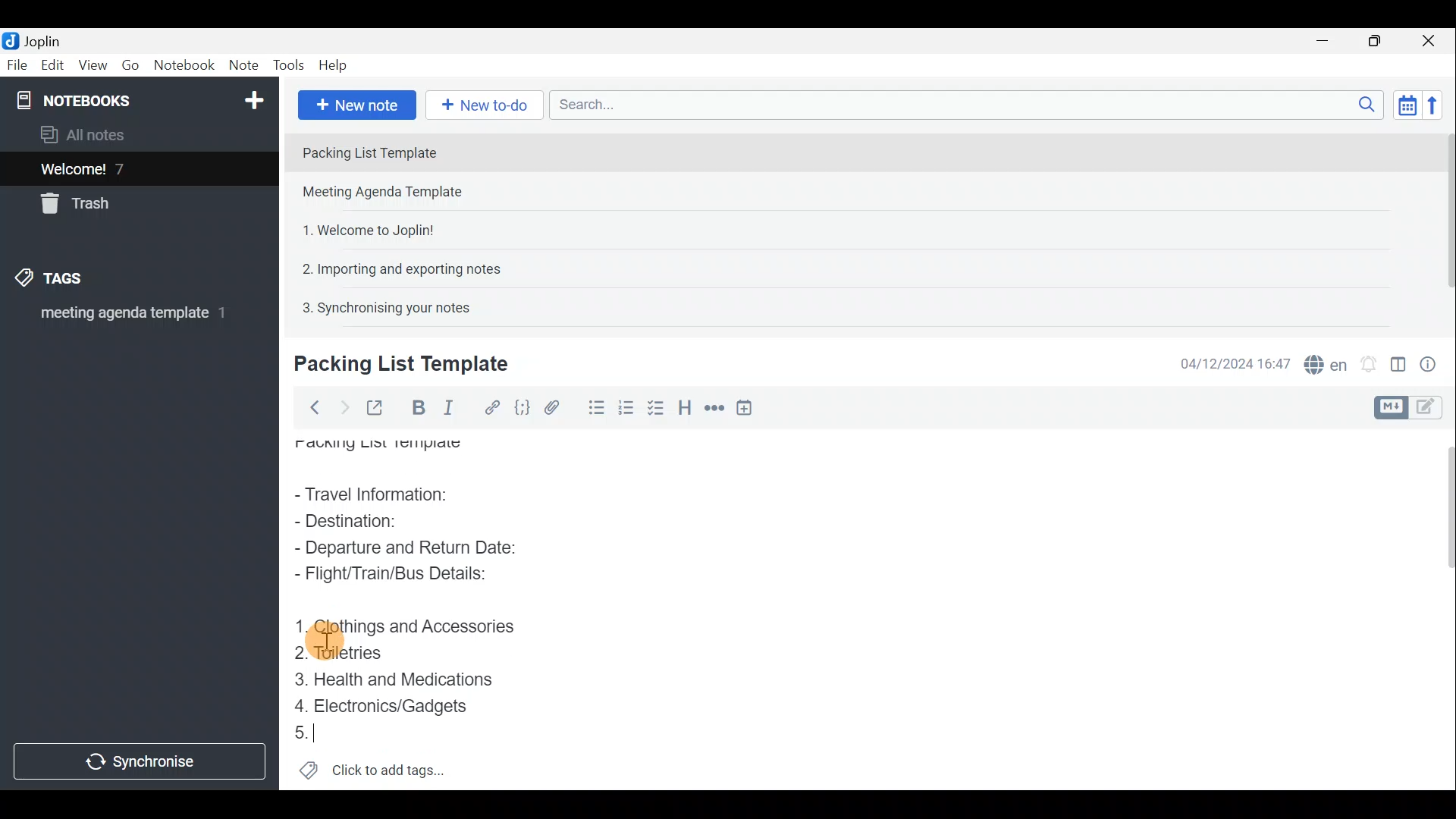 This screenshot has height=819, width=1456. I want to click on Note 3, so click(362, 228).